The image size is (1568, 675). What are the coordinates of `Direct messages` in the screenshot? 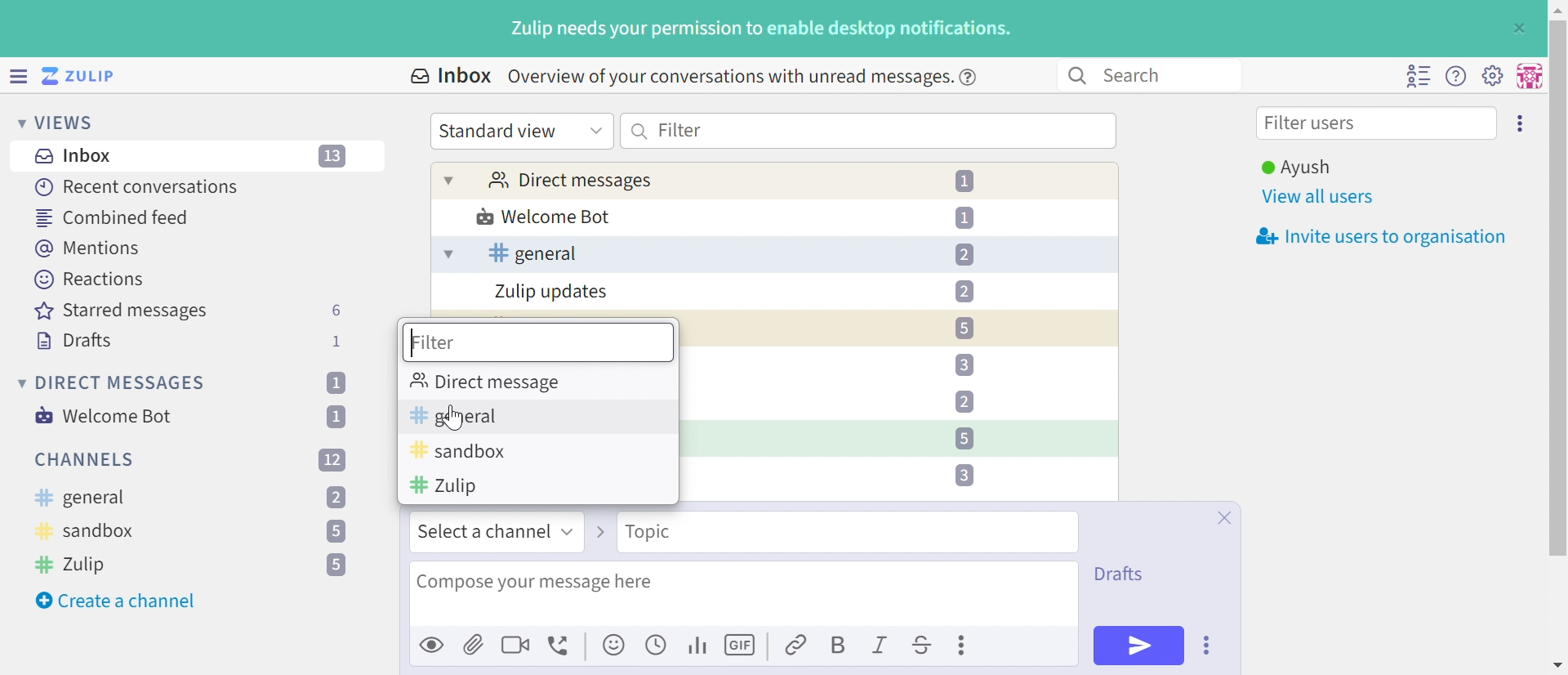 It's located at (569, 181).